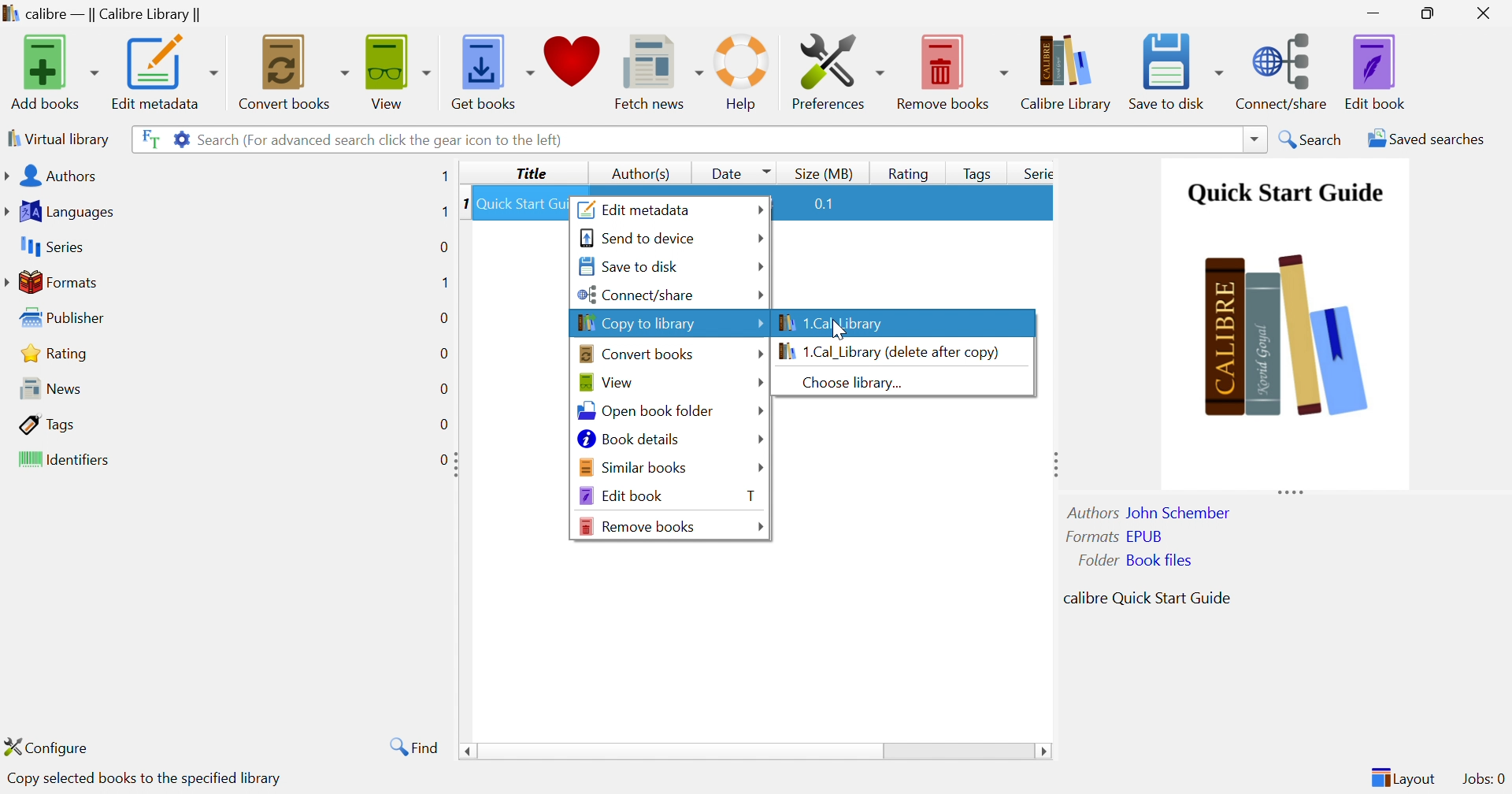  Describe the element at coordinates (495, 69) in the screenshot. I see `Get books` at that location.